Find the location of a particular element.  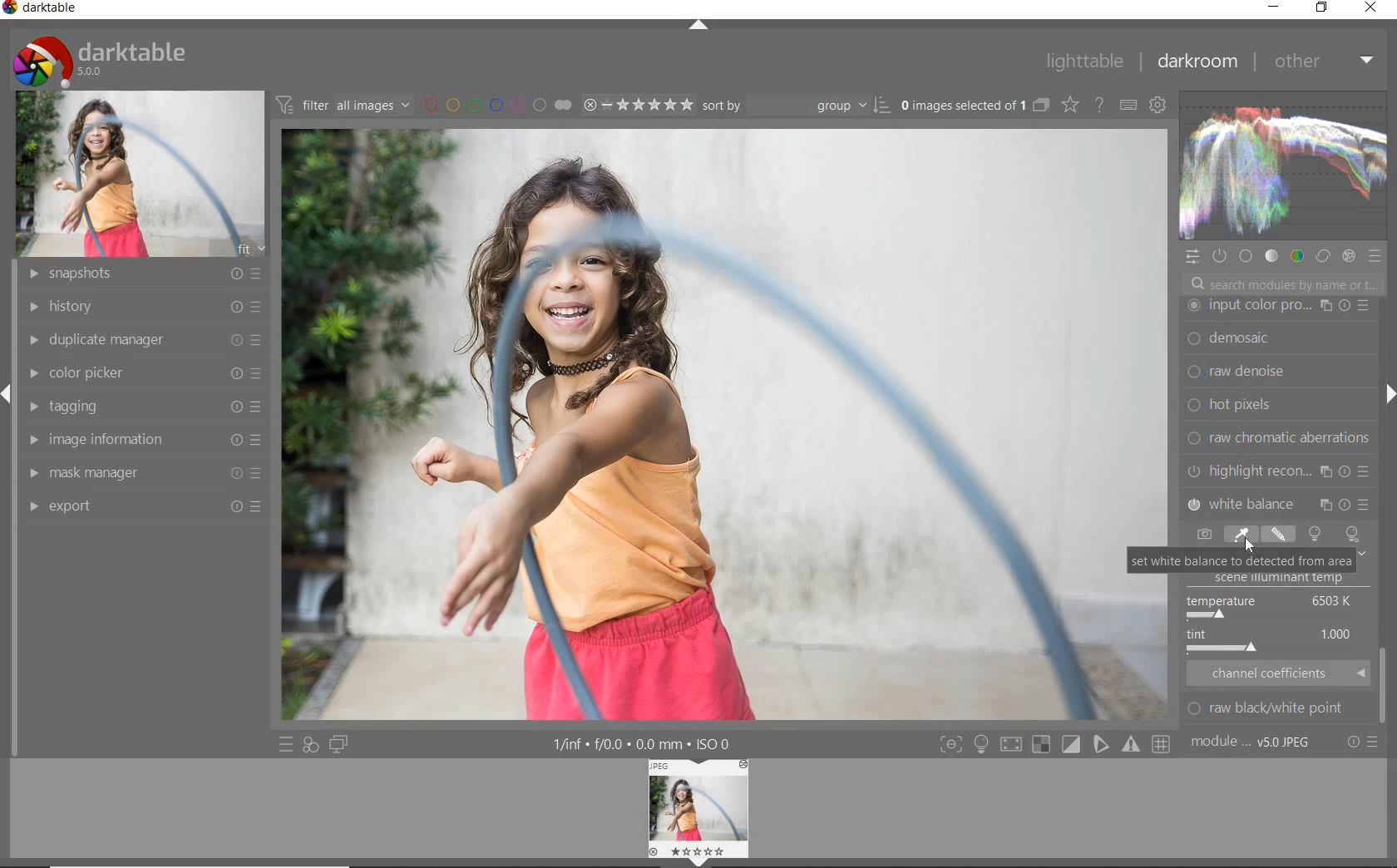

module order is located at coordinates (1253, 743).